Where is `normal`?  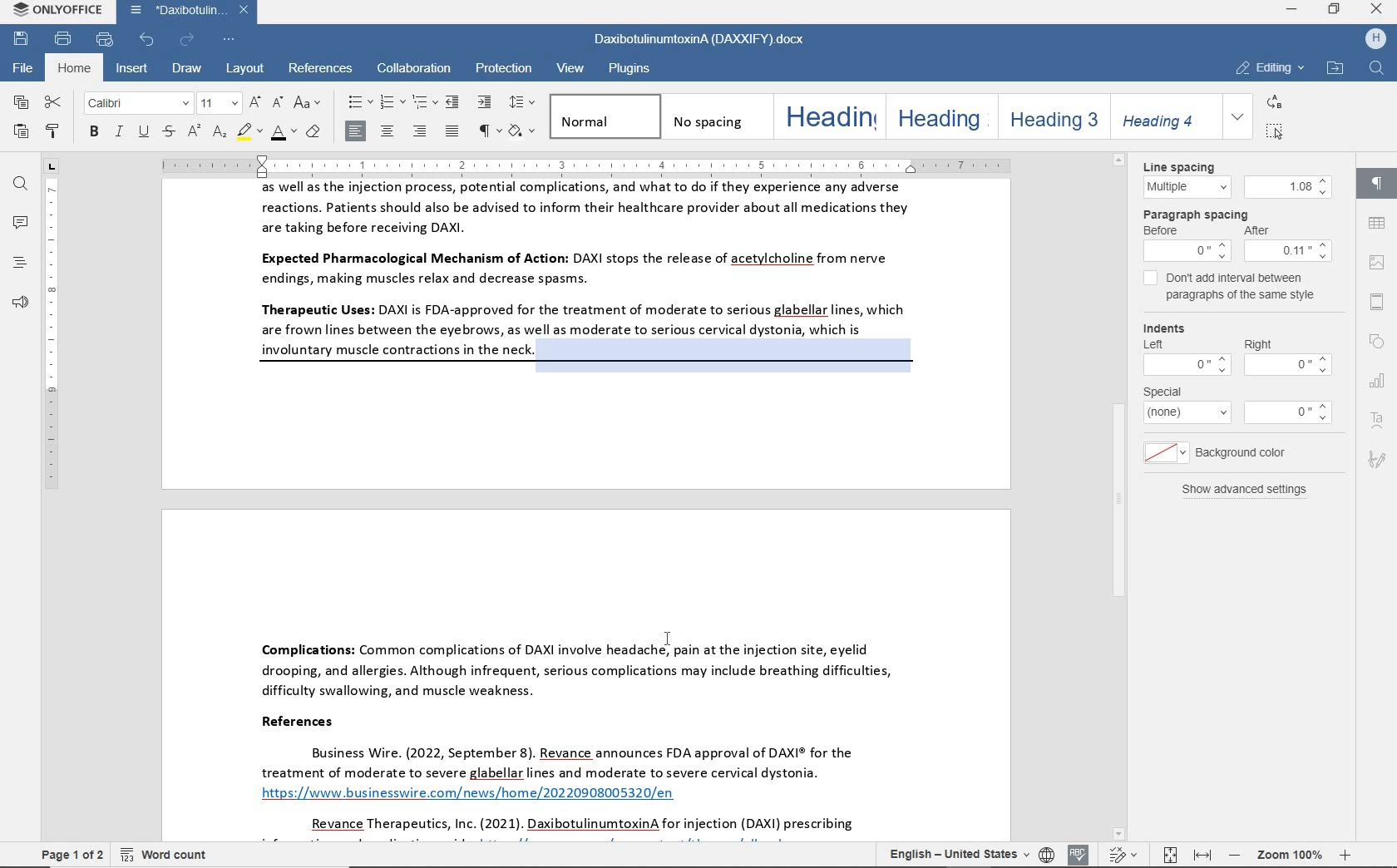 normal is located at coordinates (603, 116).